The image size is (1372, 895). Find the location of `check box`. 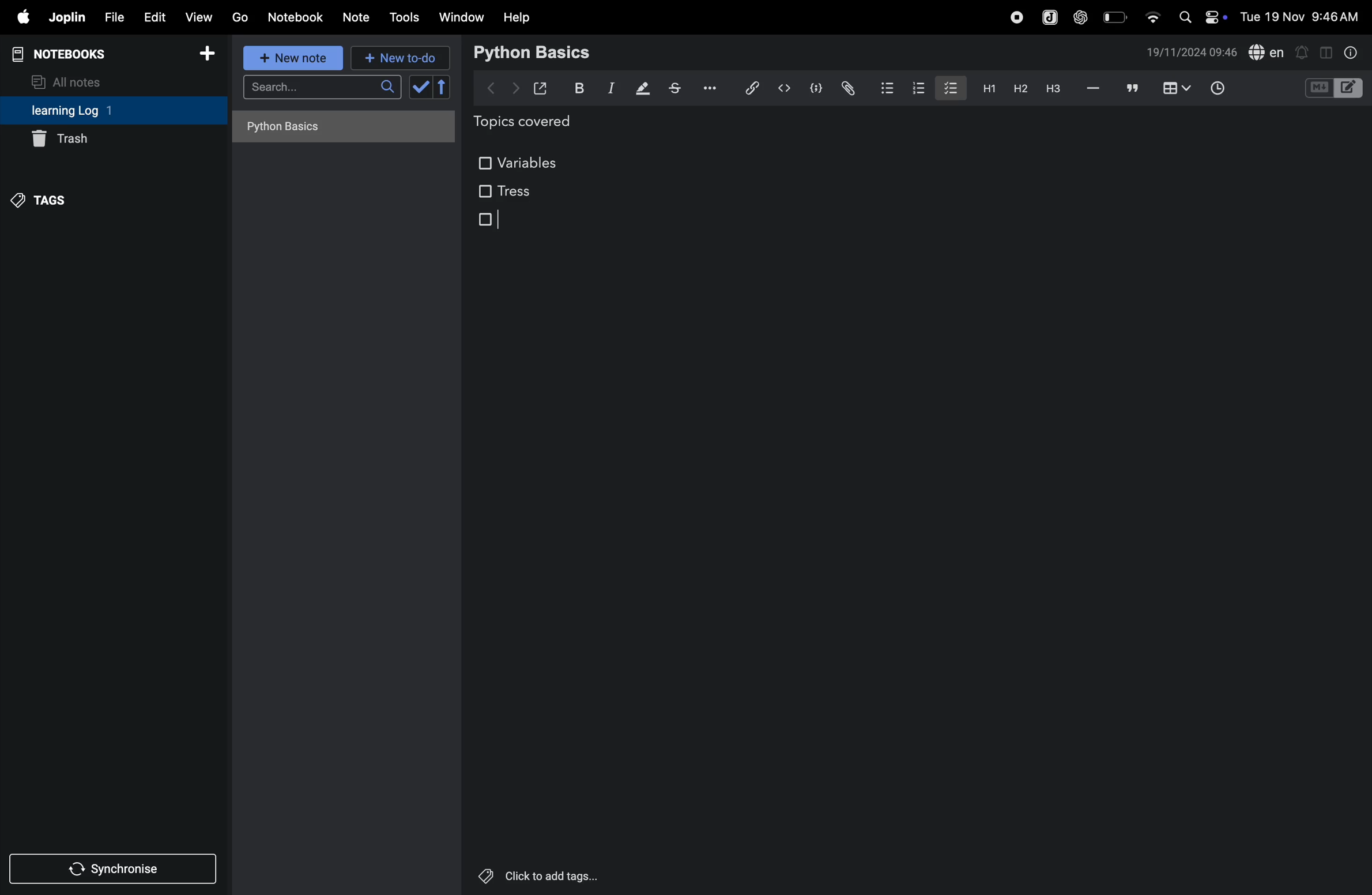

check box is located at coordinates (432, 87).